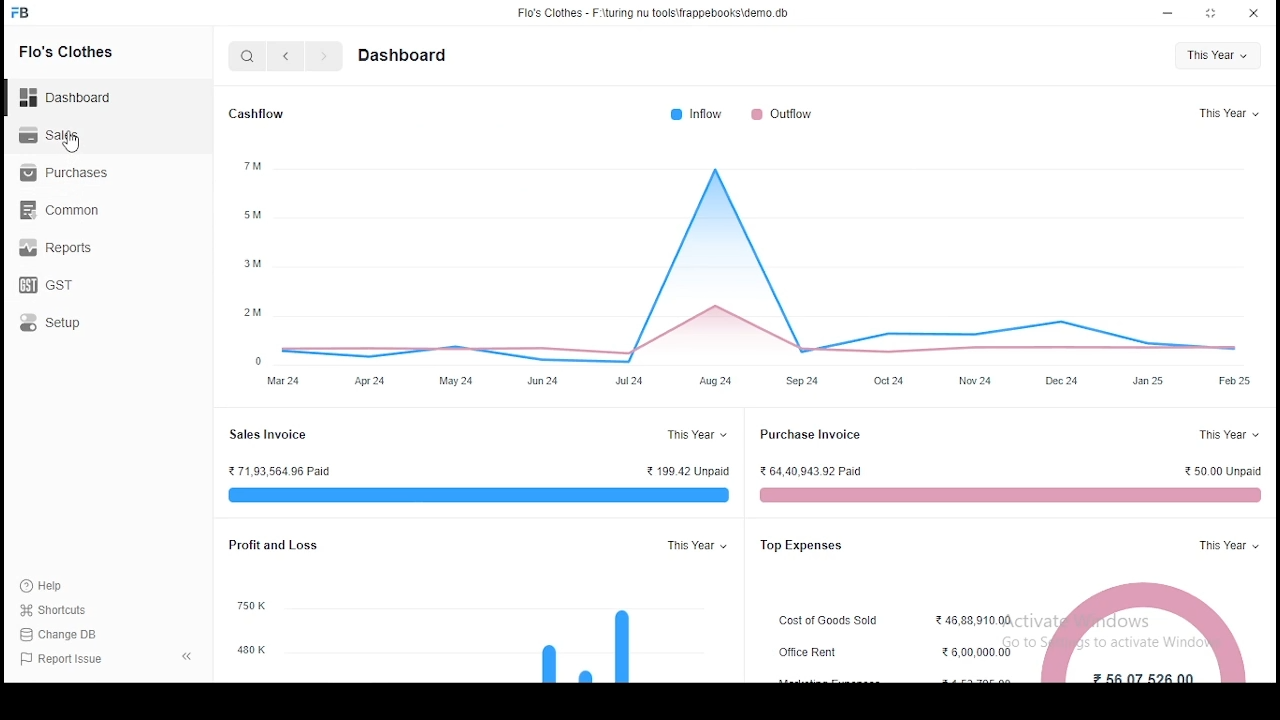 The height and width of the screenshot is (720, 1280). Describe the element at coordinates (62, 635) in the screenshot. I see `Change Db` at that location.